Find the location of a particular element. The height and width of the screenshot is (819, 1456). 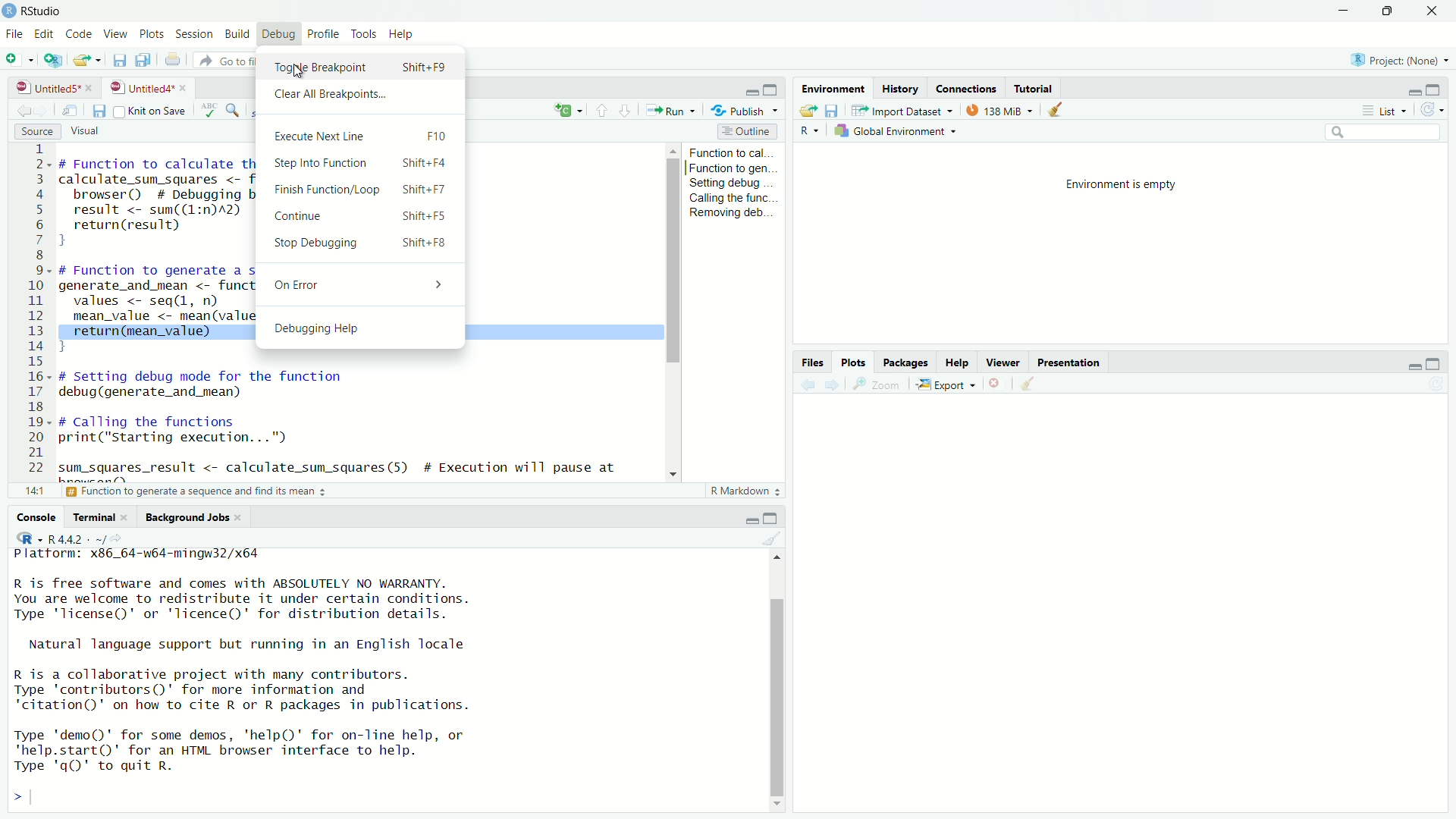

save current document is located at coordinates (118, 60).